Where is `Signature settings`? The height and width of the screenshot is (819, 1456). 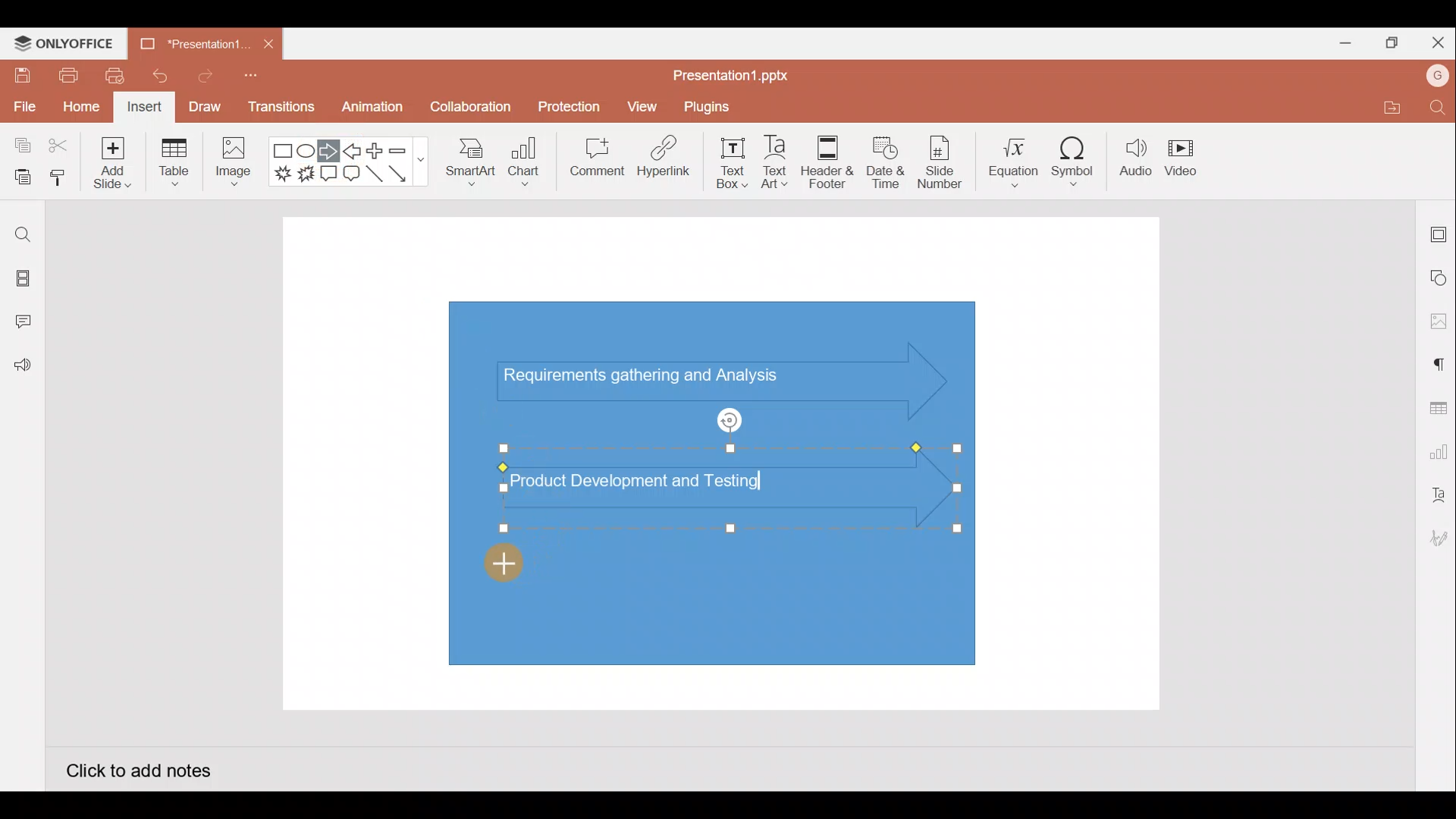 Signature settings is located at coordinates (1436, 540).